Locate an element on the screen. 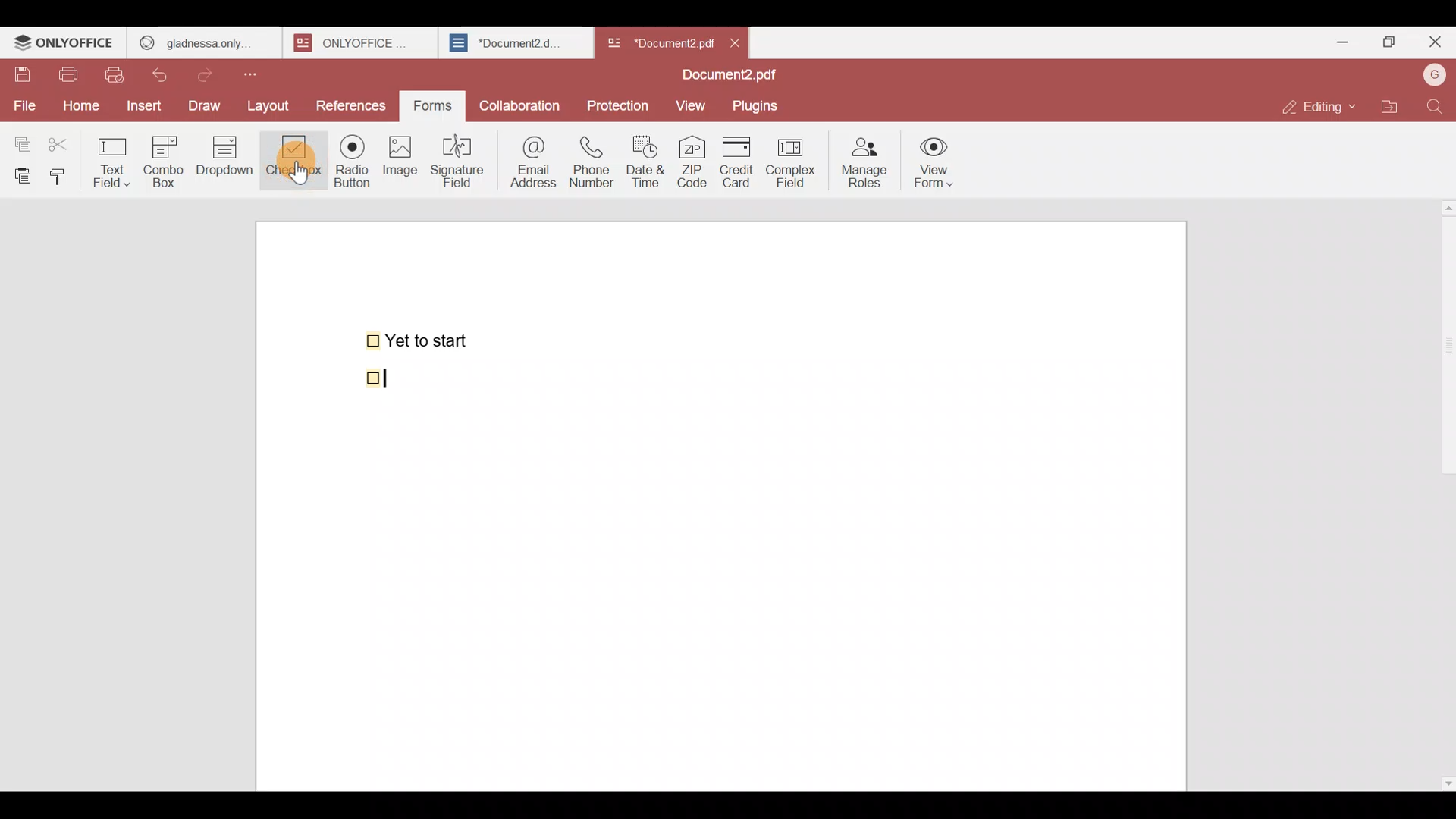 This screenshot has width=1456, height=819. Document2.d is located at coordinates (515, 47).